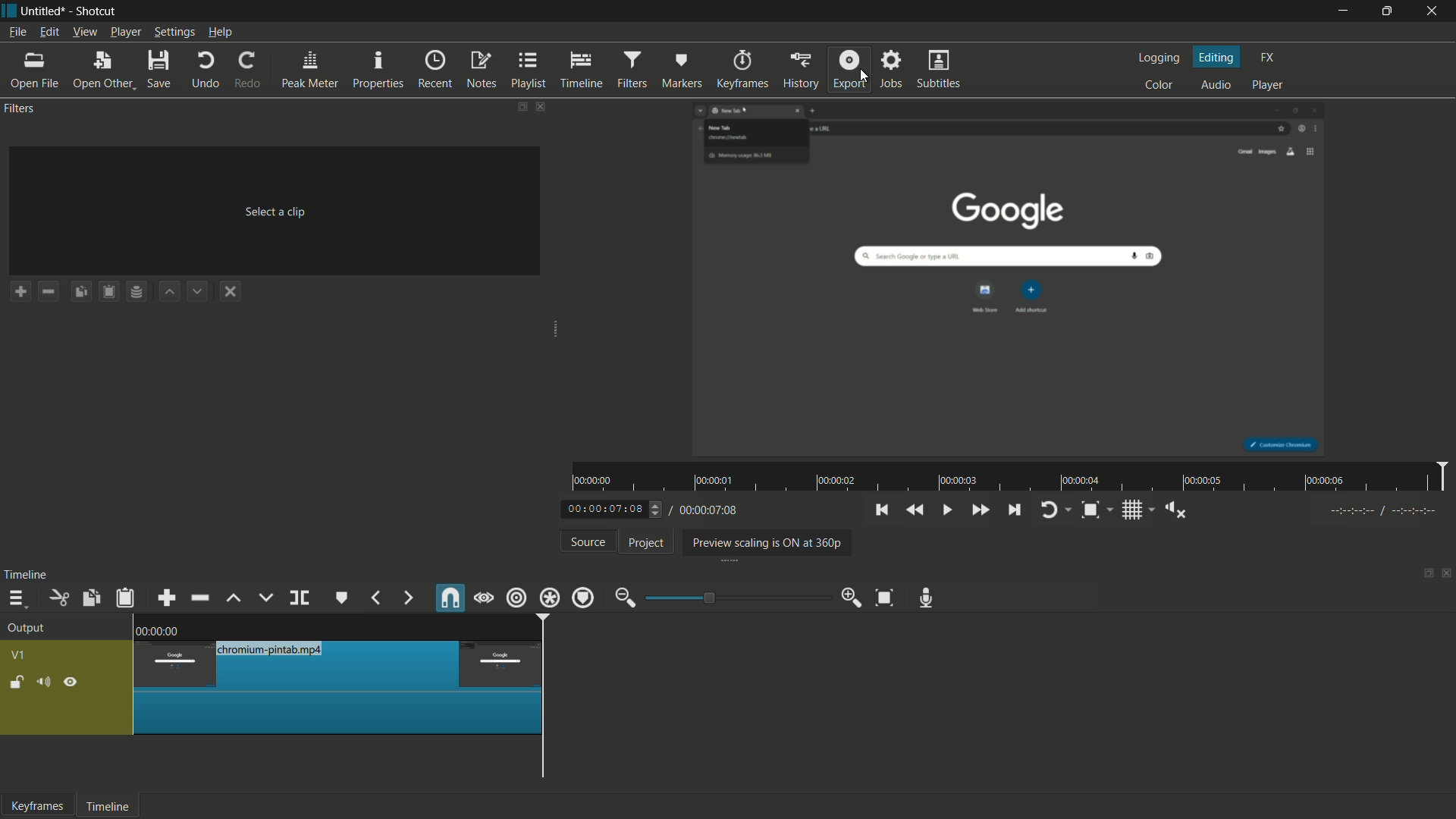  Describe the element at coordinates (1382, 510) in the screenshot. I see `---` at that location.